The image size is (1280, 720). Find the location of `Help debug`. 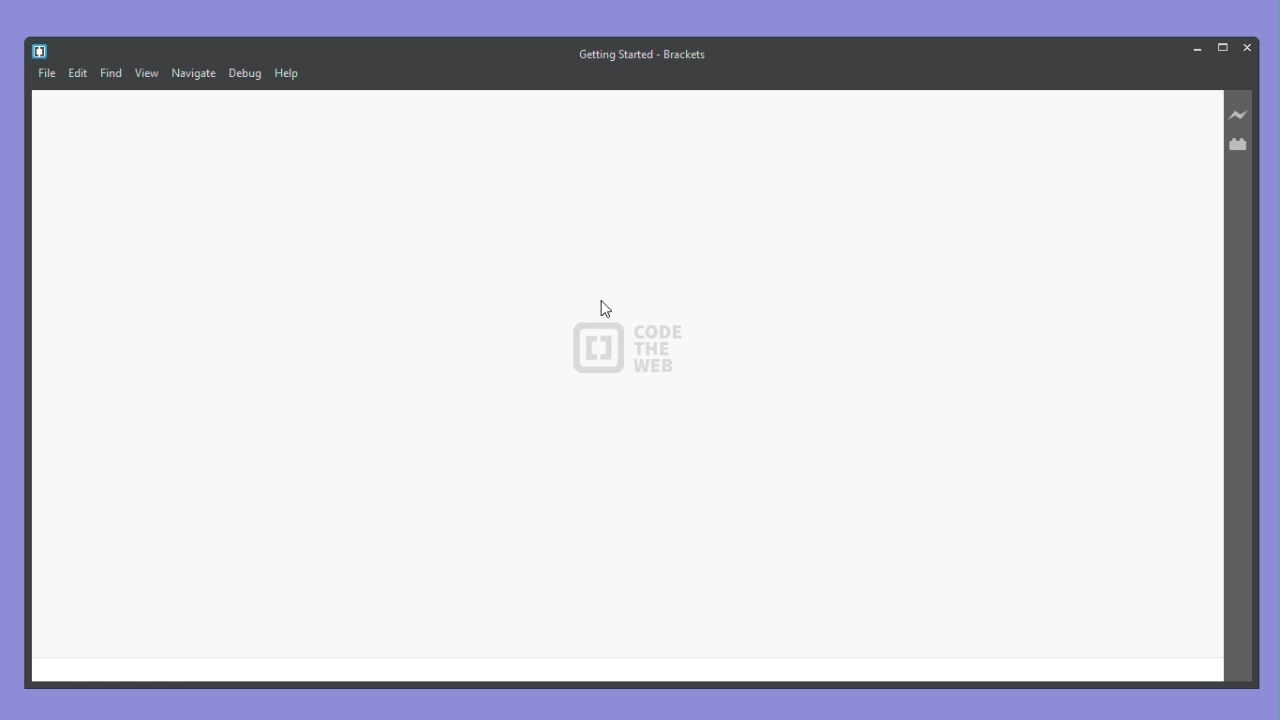

Help debug is located at coordinates (289, 75).